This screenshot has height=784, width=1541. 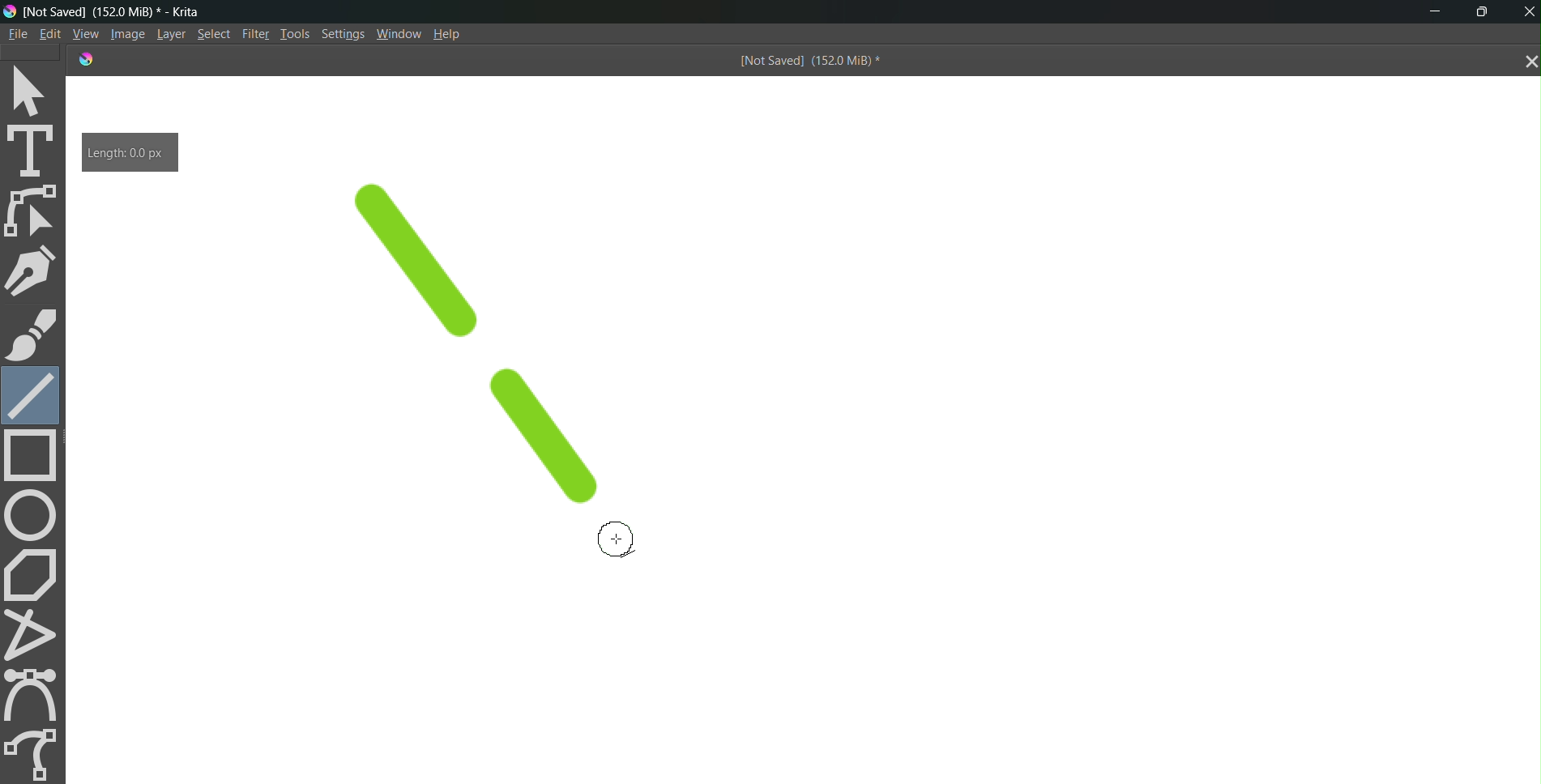 What do you see at coordinates (83, 33) in the screenshot?
I see `View` at bounding box center [83, 33].